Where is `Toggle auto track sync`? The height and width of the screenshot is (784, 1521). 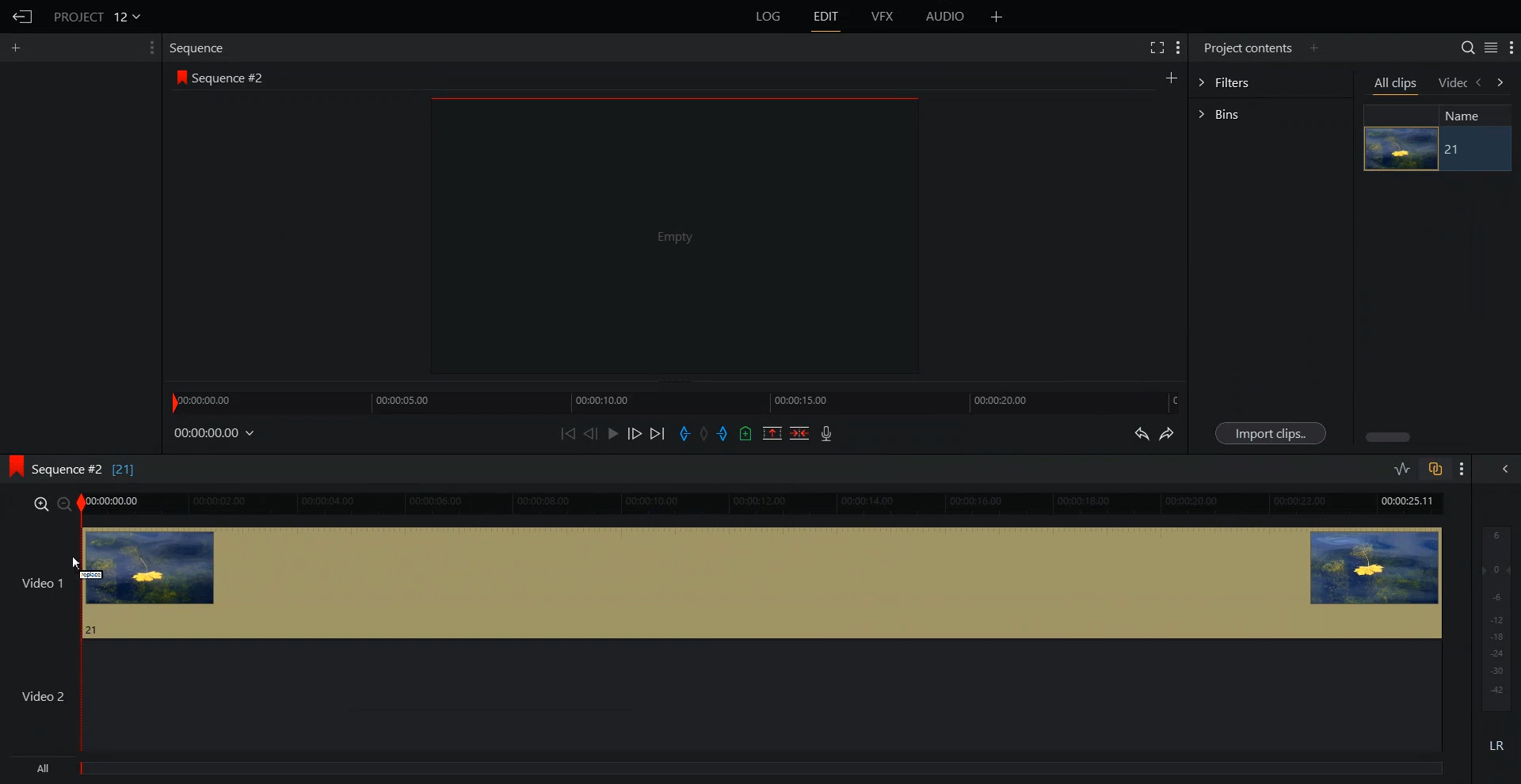
Toggle auto track sync is located at coordinates (1435, 469).